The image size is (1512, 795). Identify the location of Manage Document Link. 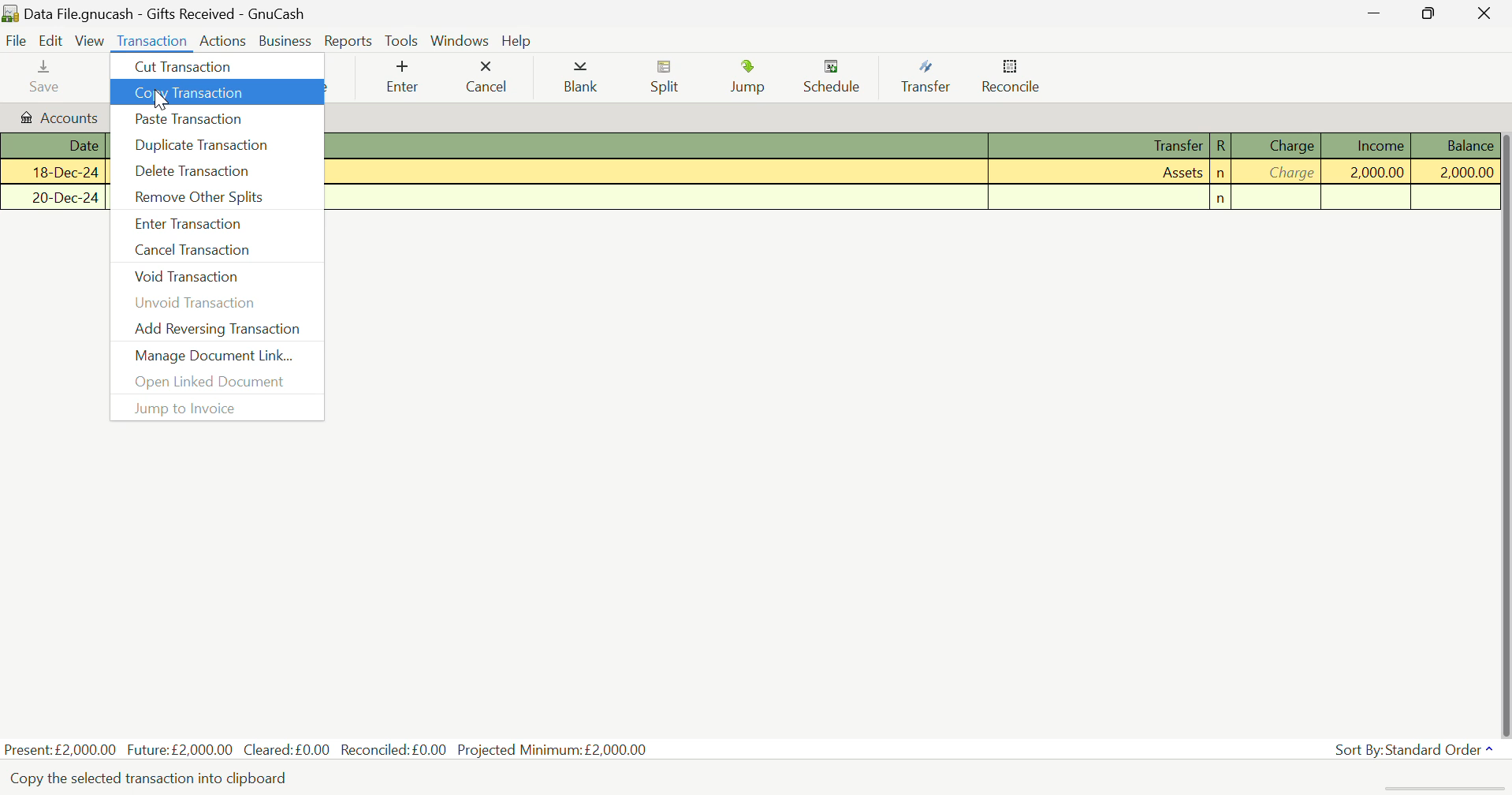
(213, 354).